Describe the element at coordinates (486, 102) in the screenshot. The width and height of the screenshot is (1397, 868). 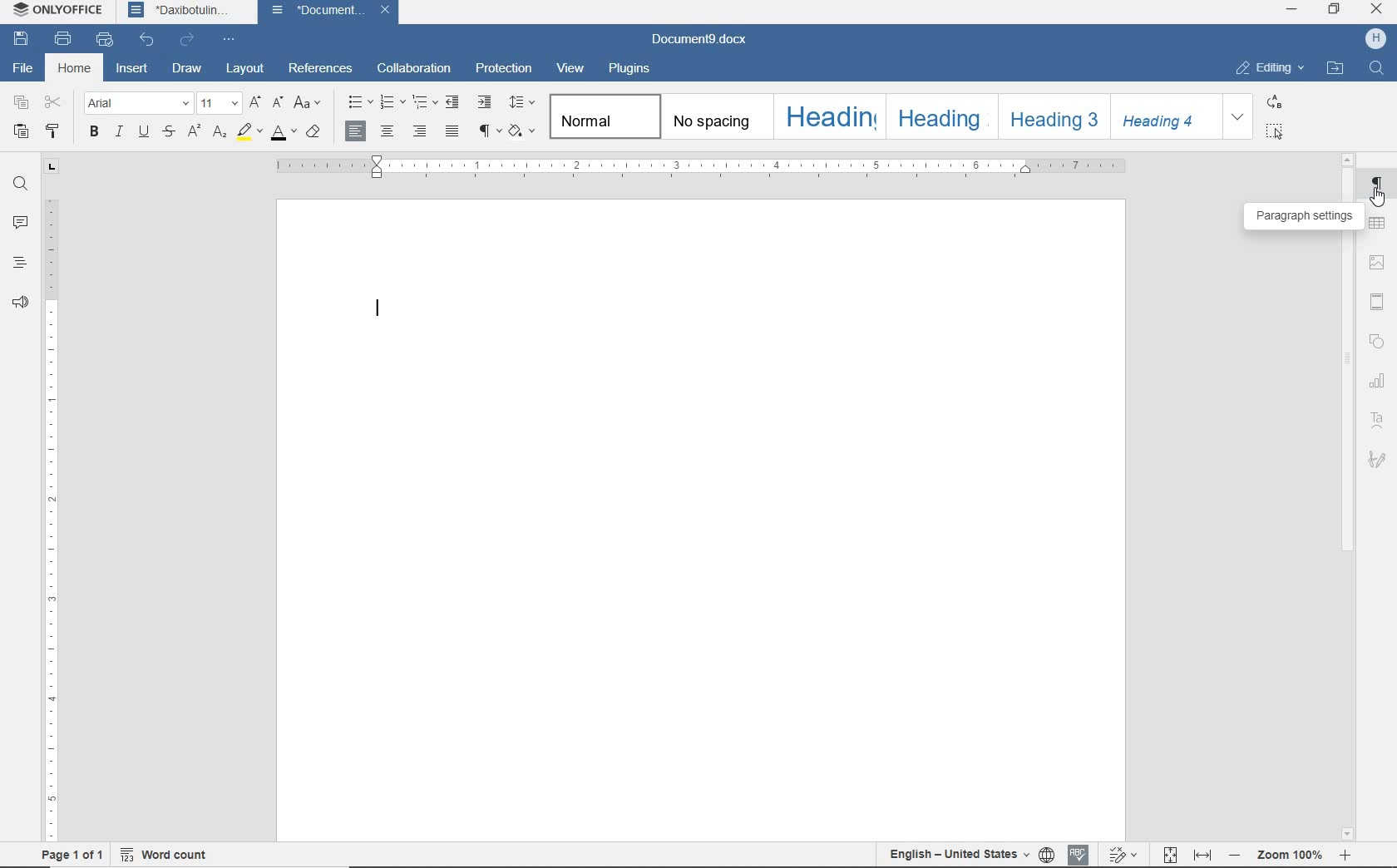
I see `increase indent` at that location.